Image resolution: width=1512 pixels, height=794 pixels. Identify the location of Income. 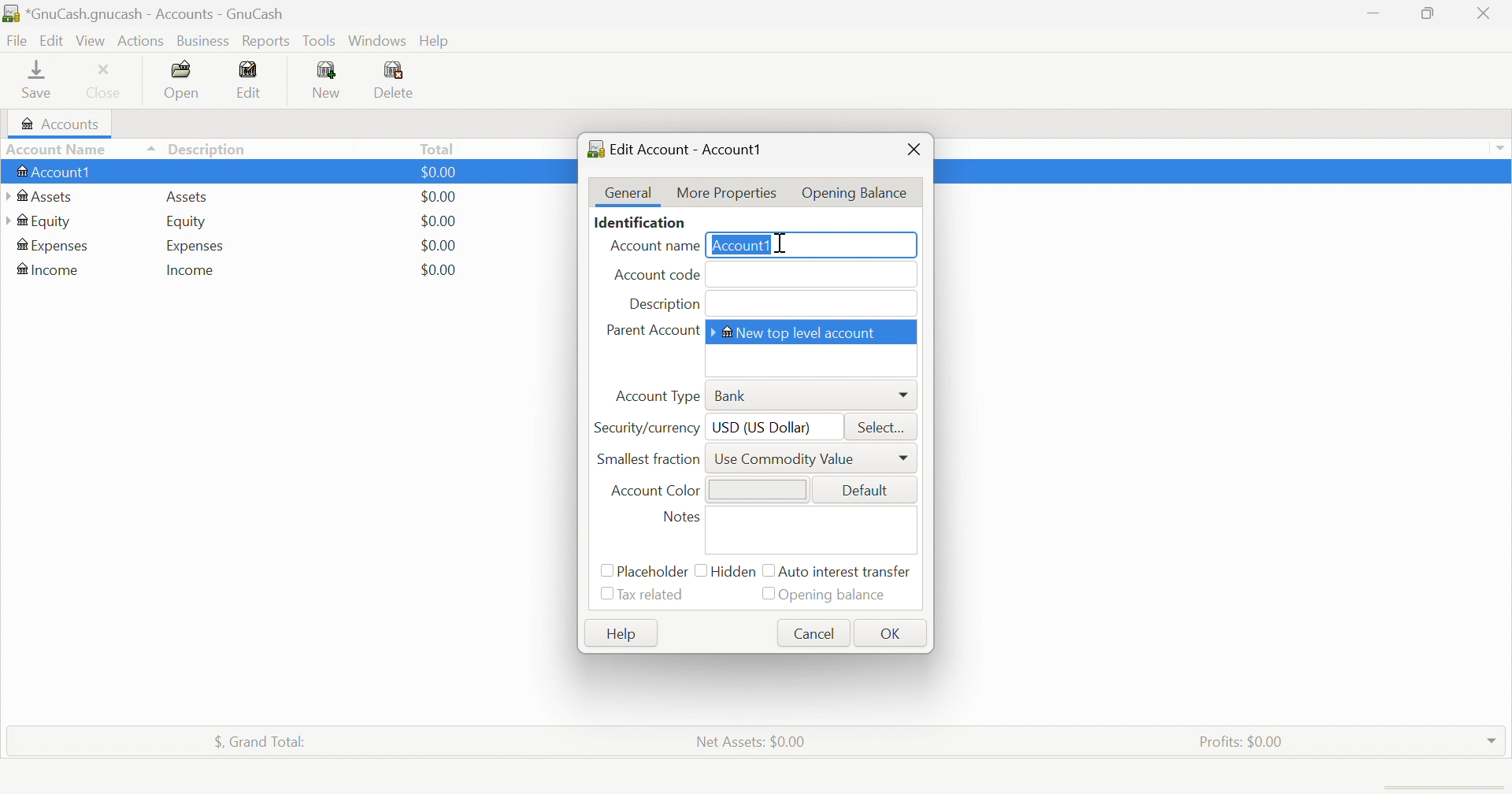
(50, 269).